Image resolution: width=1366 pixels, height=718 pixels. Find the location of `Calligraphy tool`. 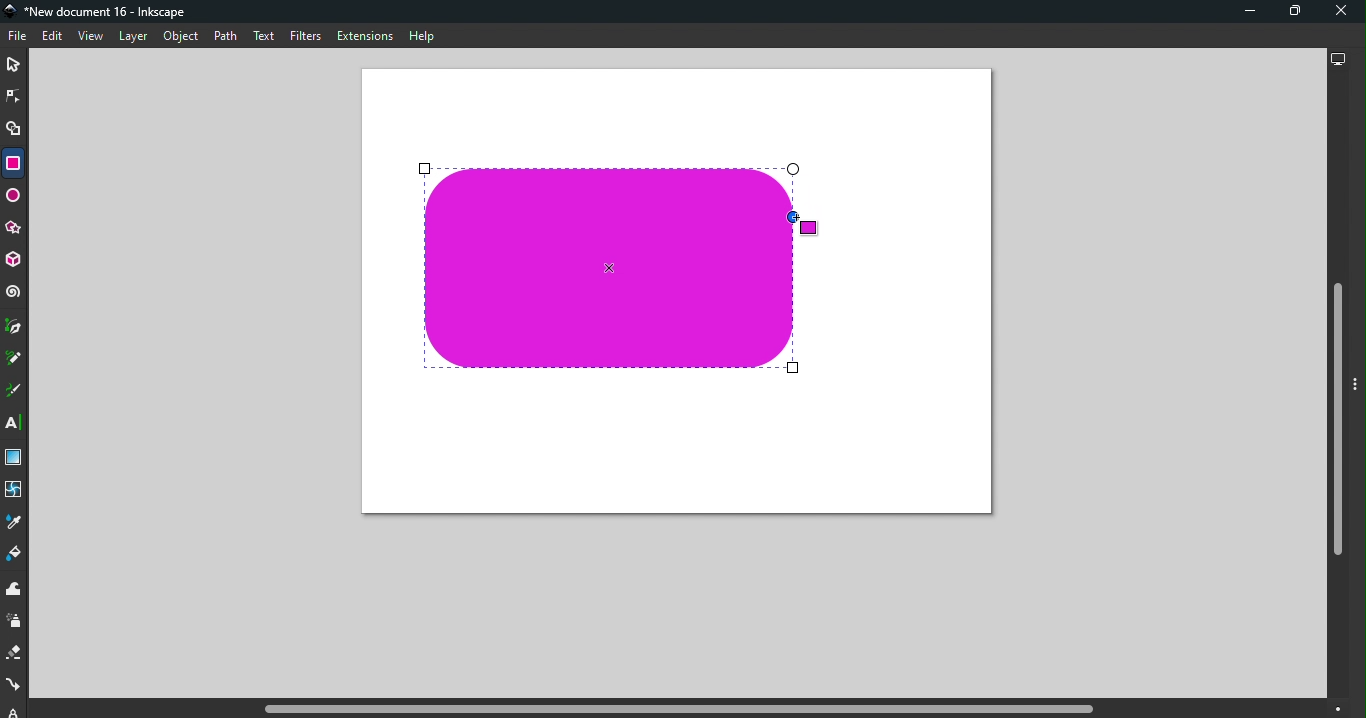

Calligraphy tool is located at coordinates (15, 391).